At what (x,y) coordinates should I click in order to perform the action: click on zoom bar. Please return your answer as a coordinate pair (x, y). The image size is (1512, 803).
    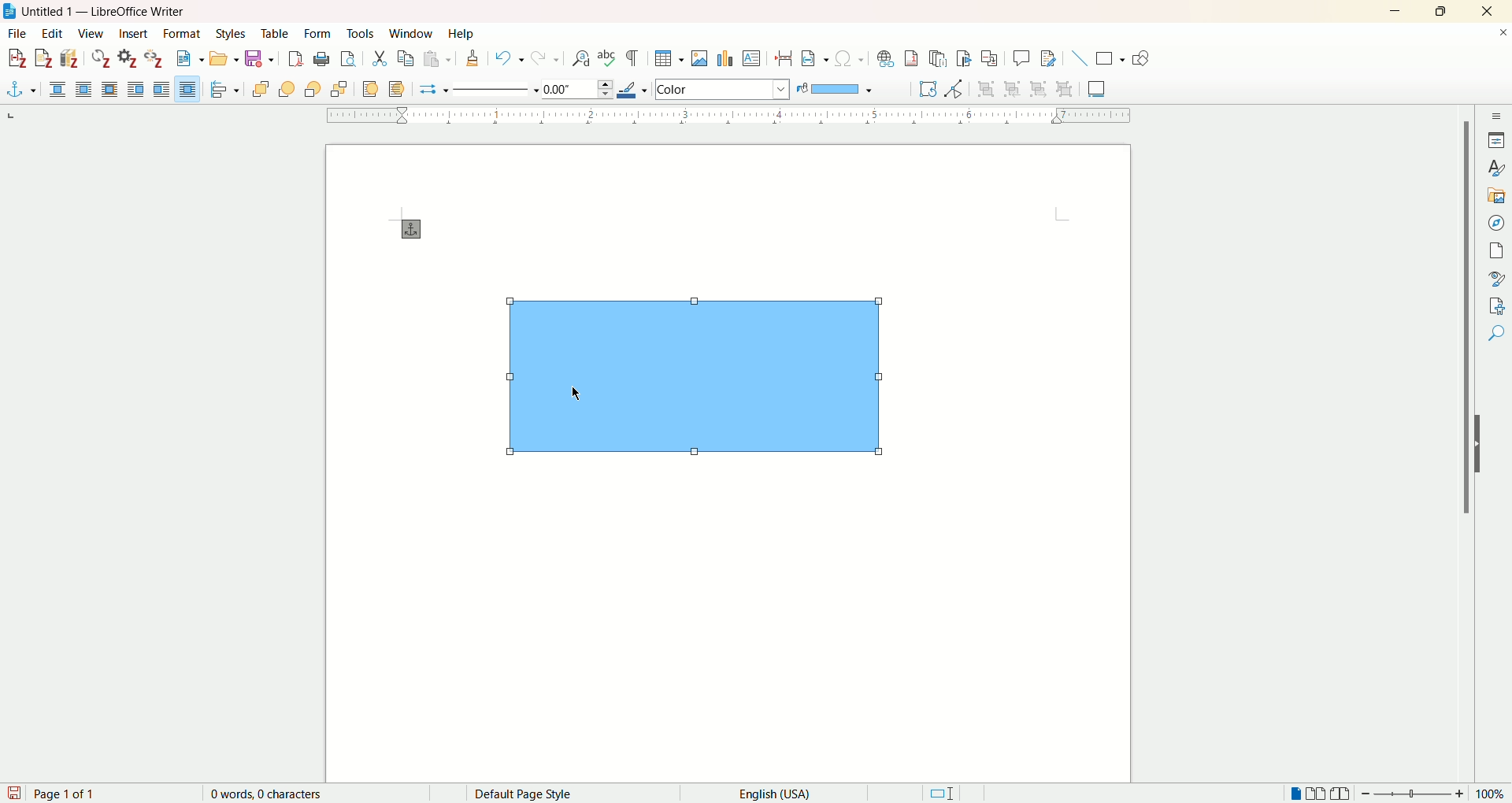
    Looking at the image, I should click on (1417, 794).